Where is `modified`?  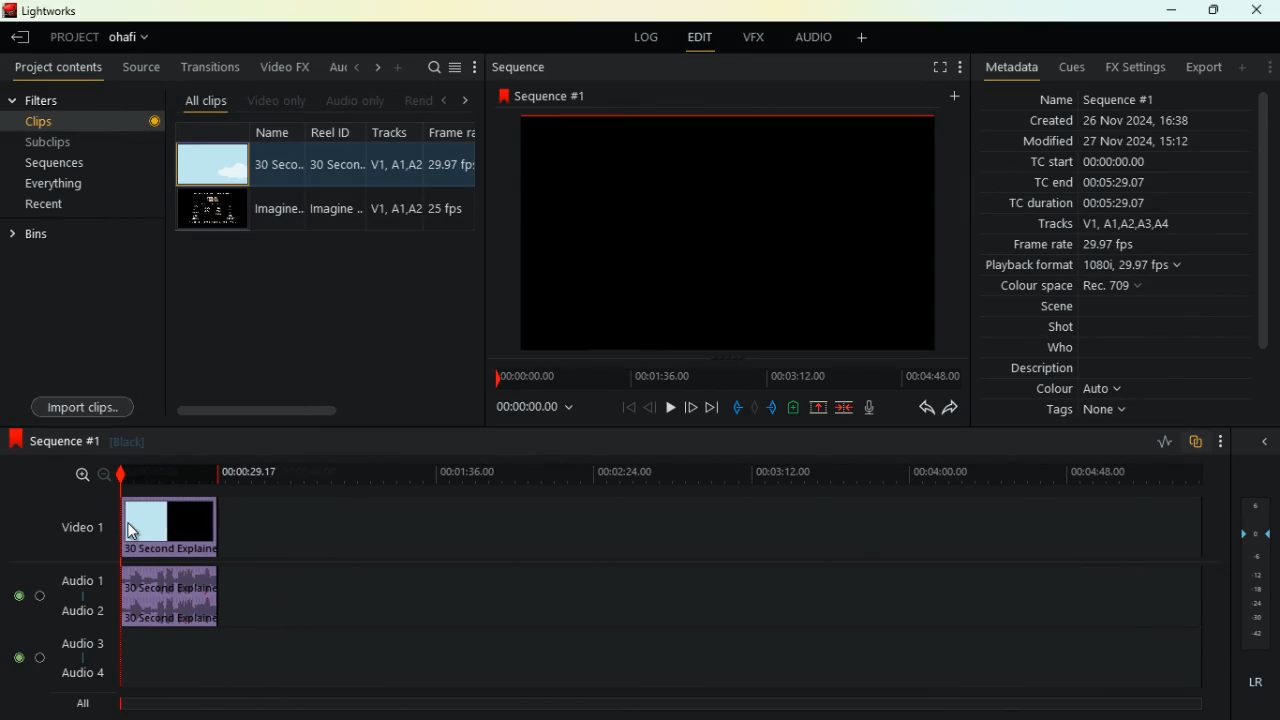
modified is located at coordinates (1102, 142).